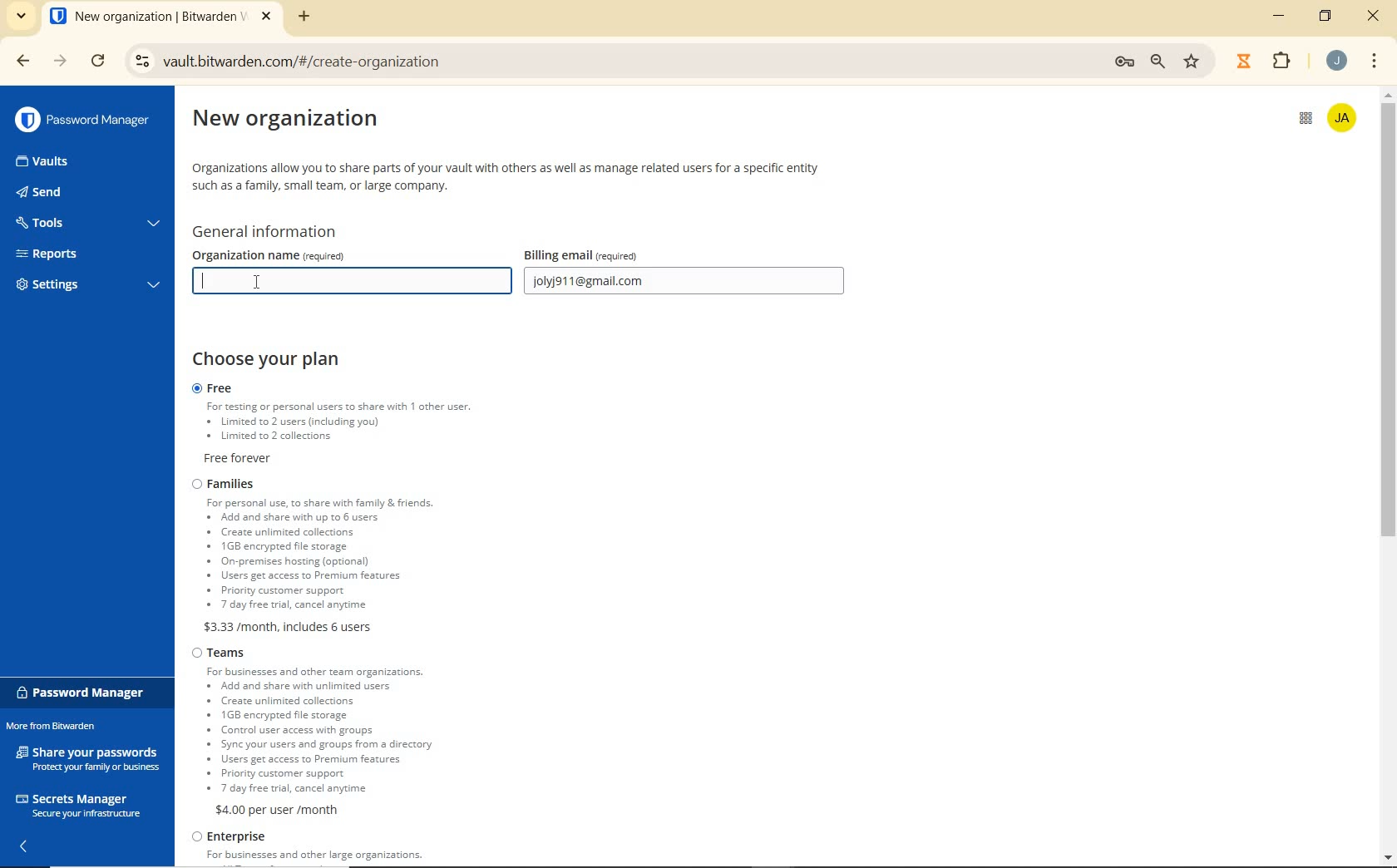  Describe the element at coordinates (1299, 125) in the screenshot. I see `admin console` at that location.